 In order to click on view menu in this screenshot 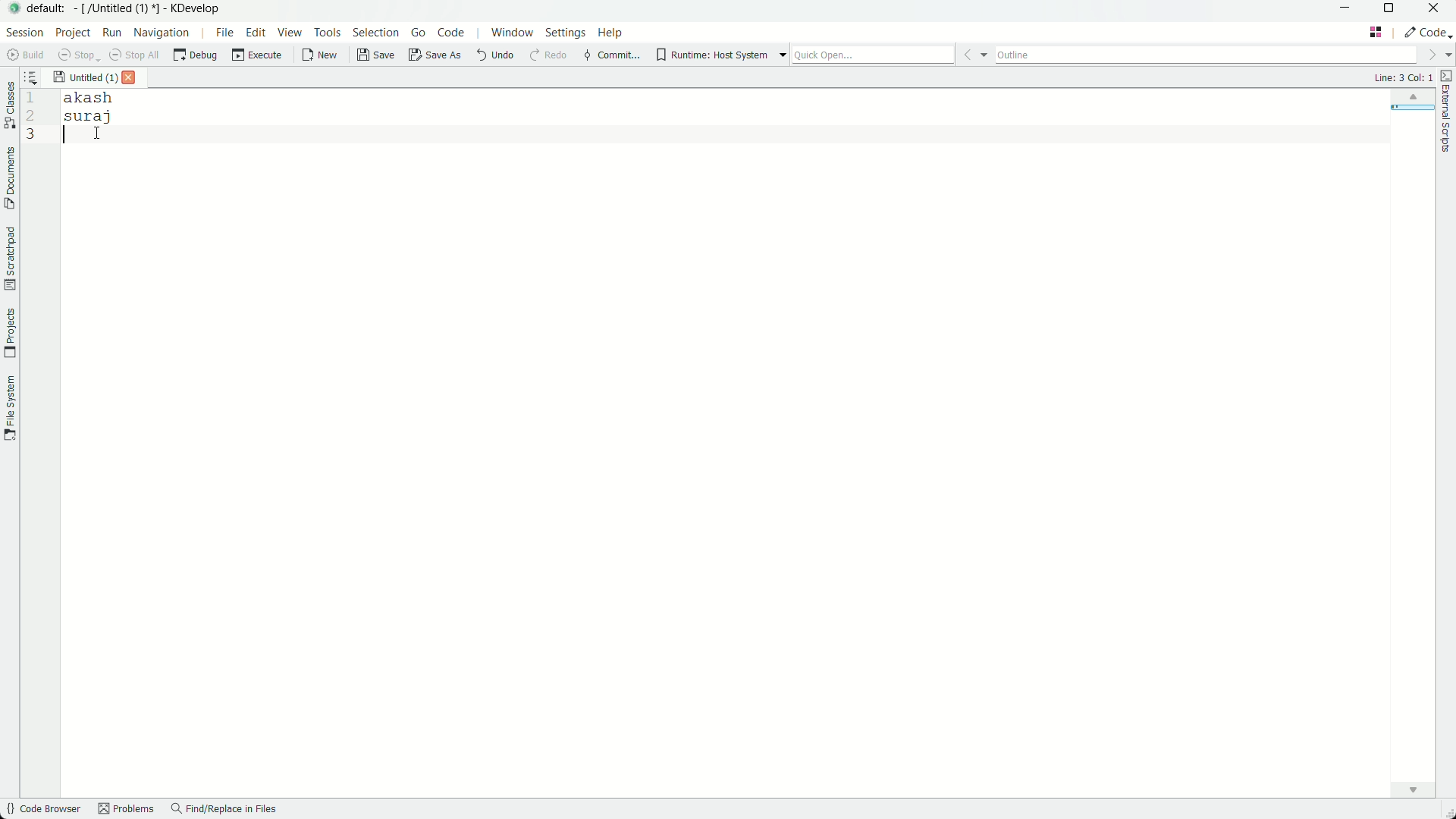, I will do `click(290, 34)`.